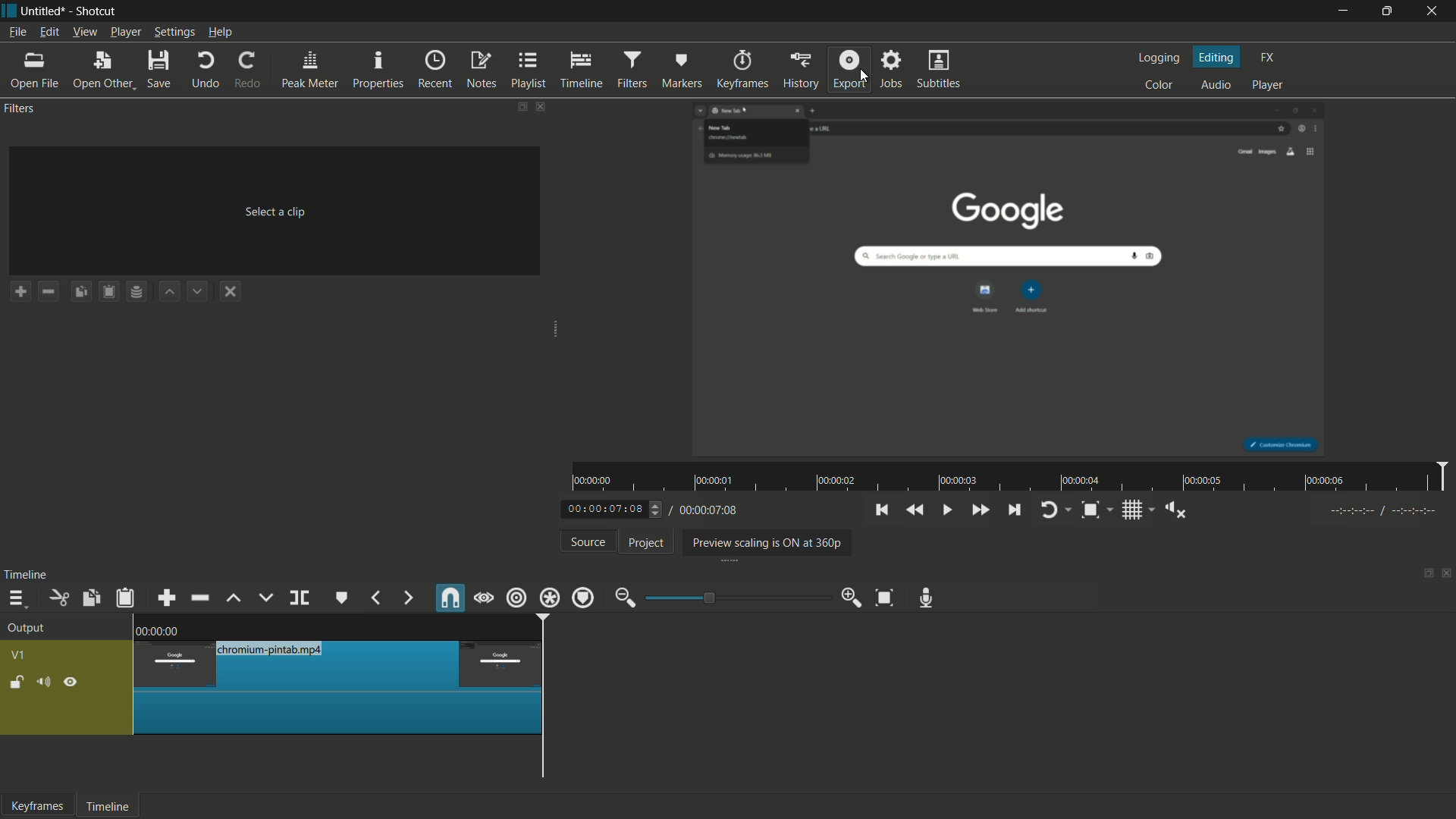  What do you see at coordinates (83, 33) in the screenshot?
I see `view menu` at bounding box center [83, 33].